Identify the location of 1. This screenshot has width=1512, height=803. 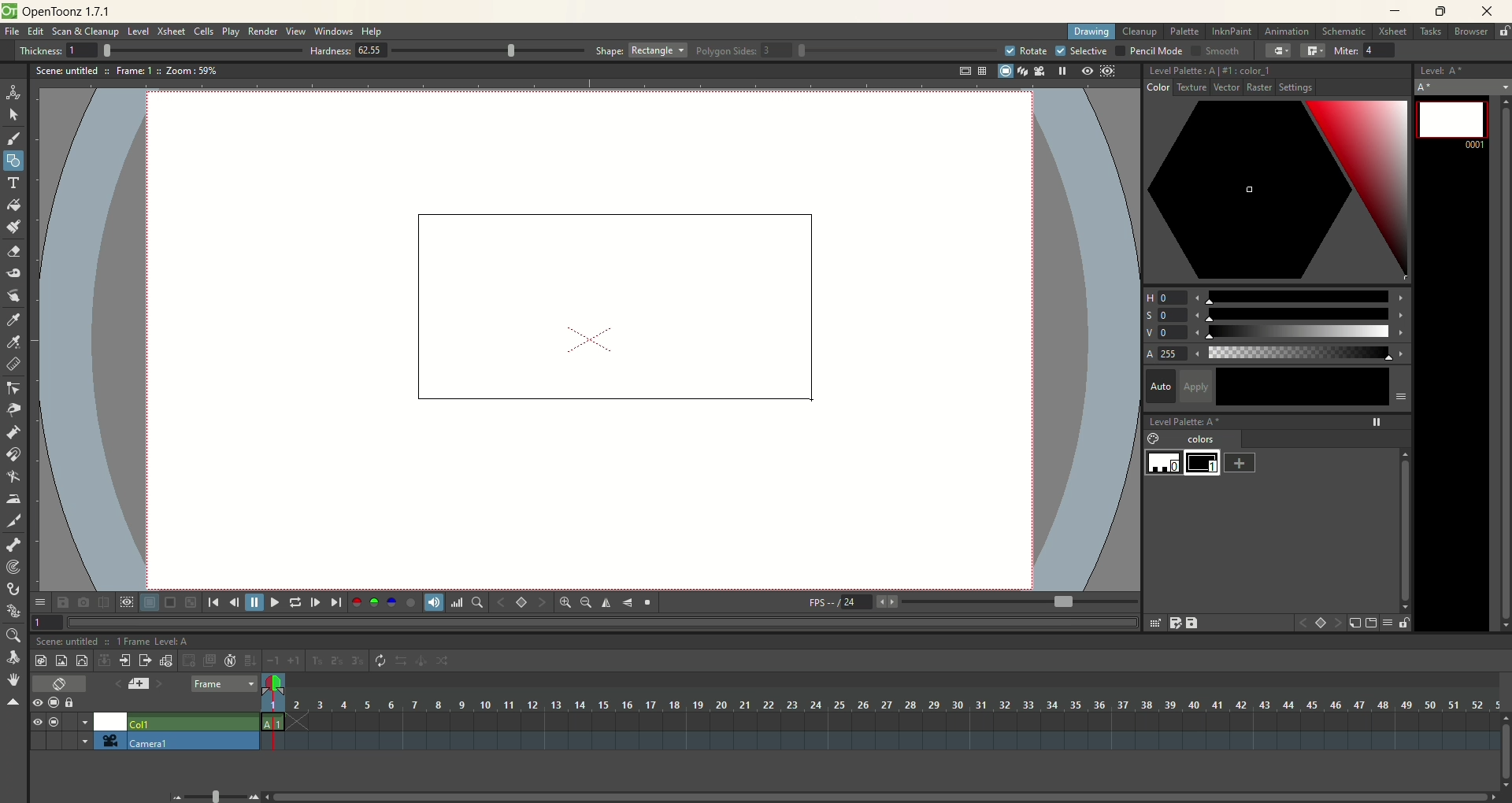
(47, 621).